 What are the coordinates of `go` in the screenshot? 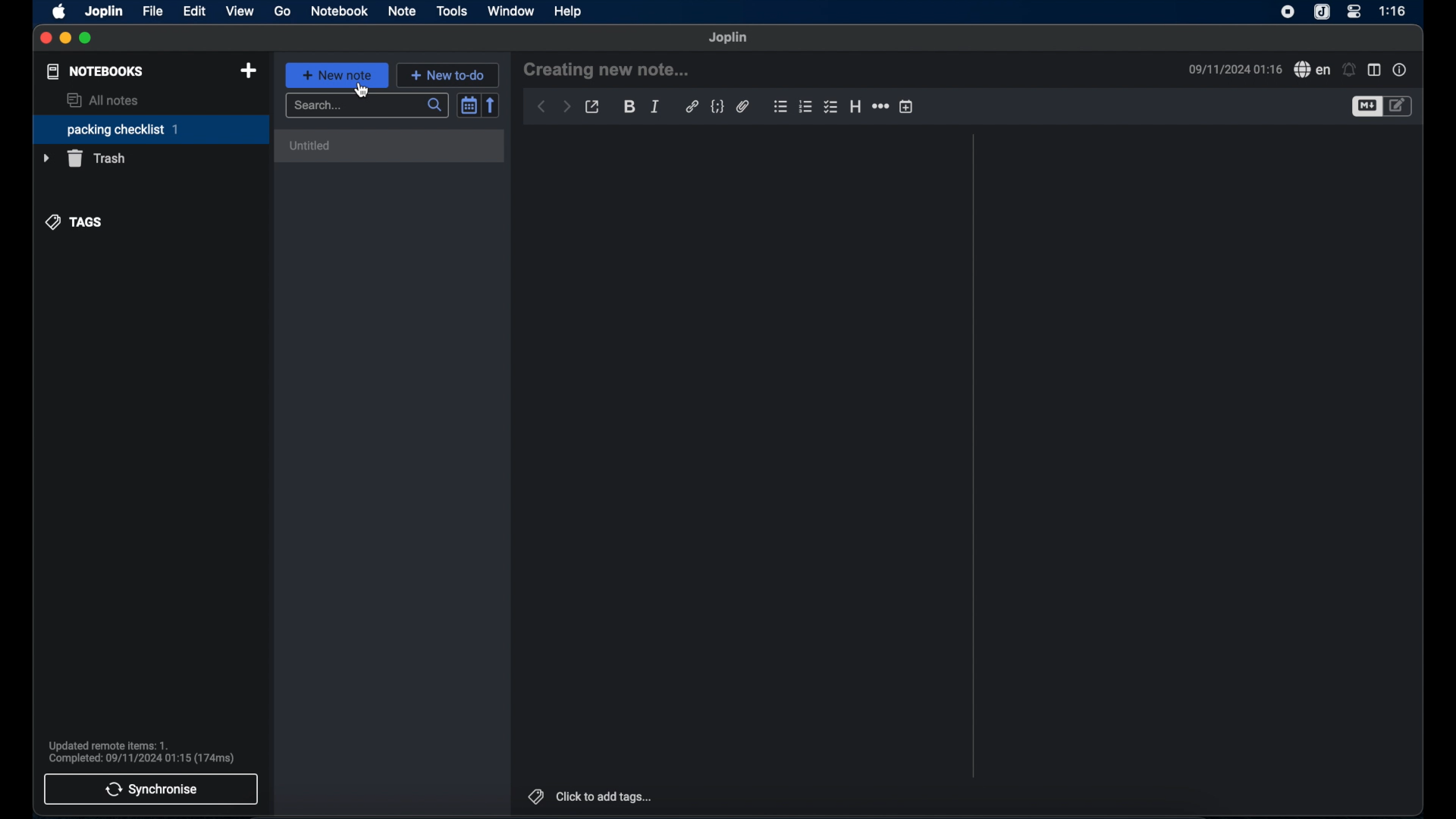 It's located at (282, 11).